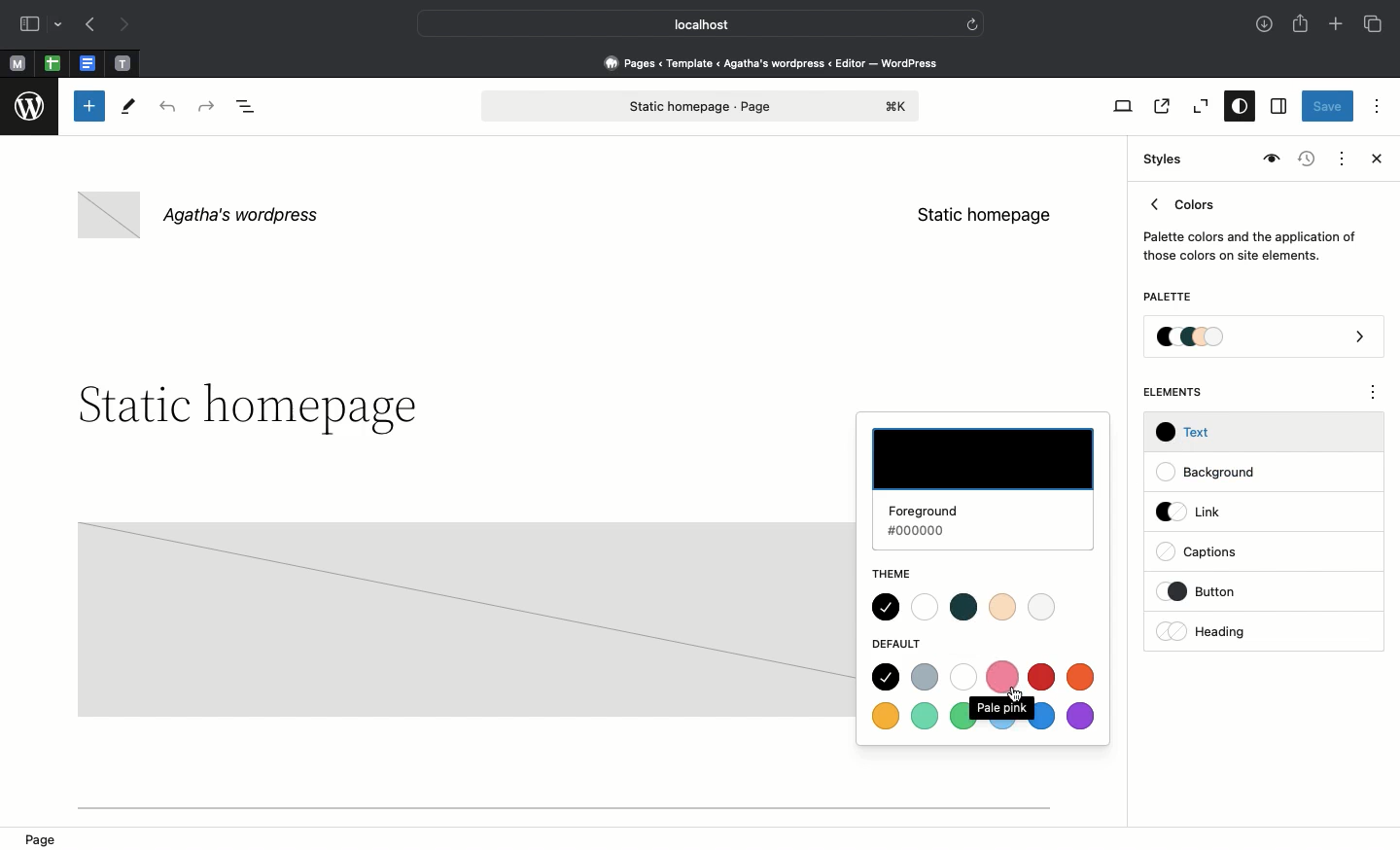  I want to click on Pinned tab, so click(123, 64).